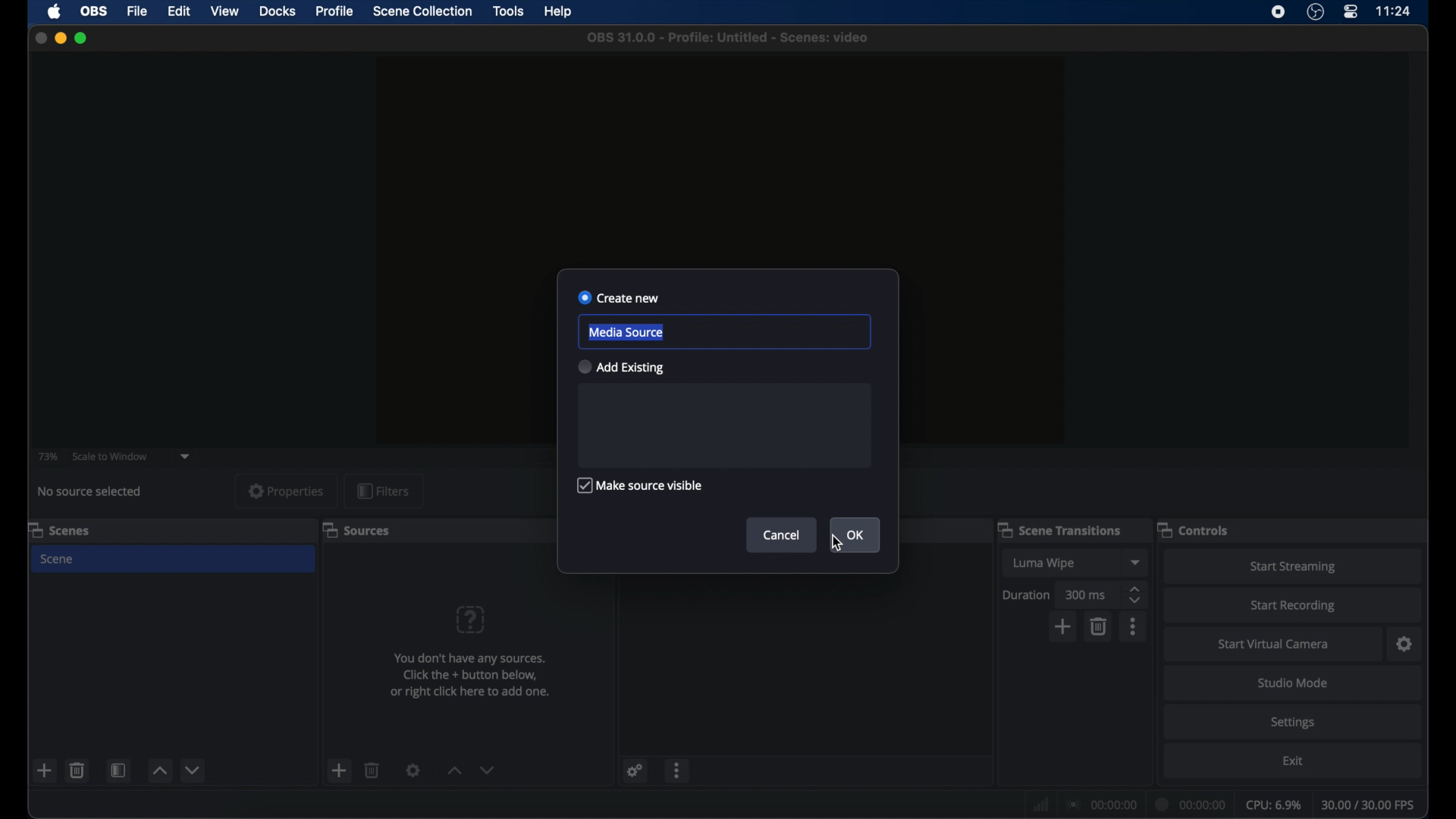 Image resolution: width=1456 pixels, height=819 pixels. What do you see at coordinates (1025, 595) in the screenshot?
I see `duration` at bounding box center [1025, 595].